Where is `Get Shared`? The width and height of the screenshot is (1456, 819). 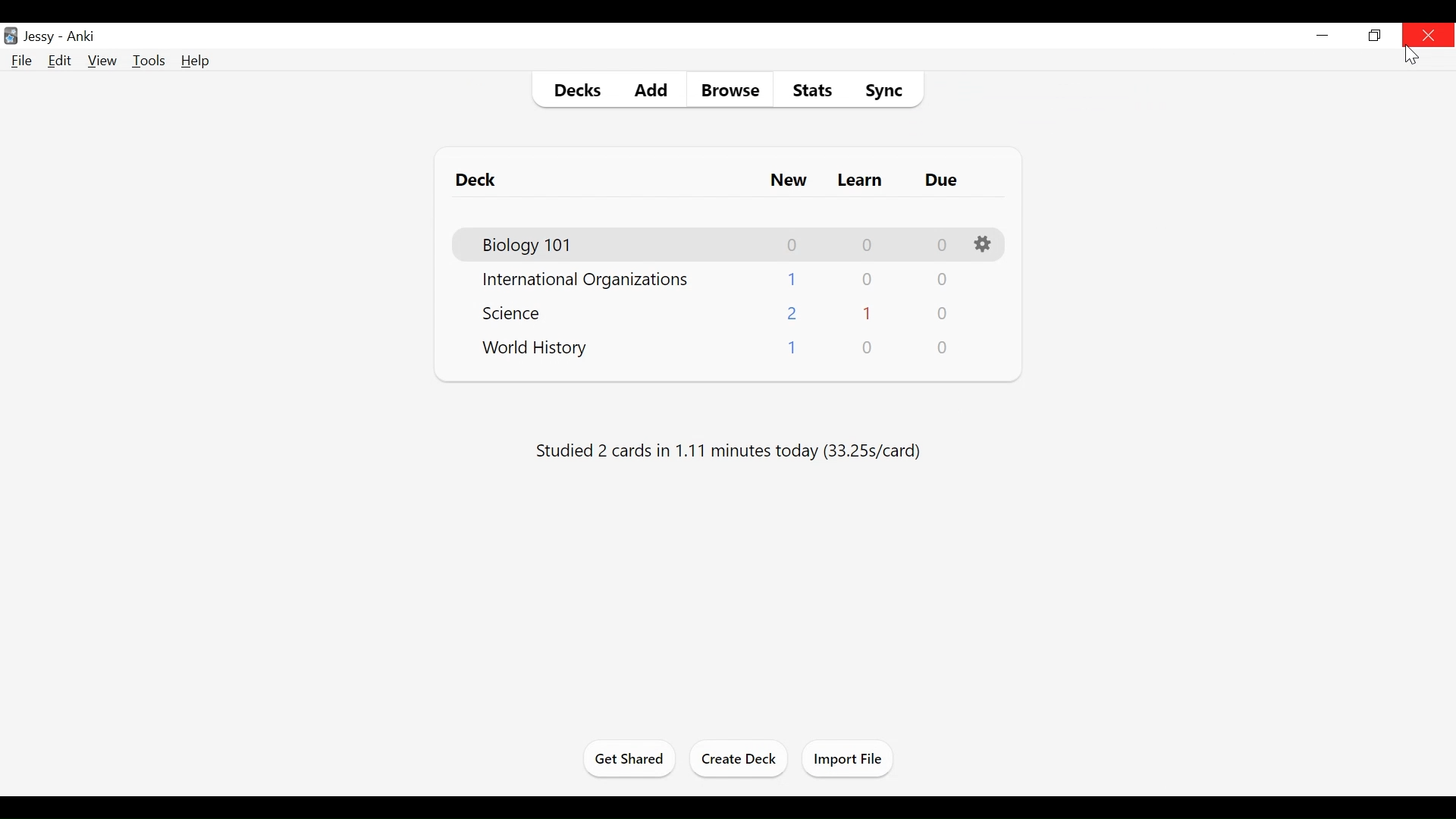
Get Shared is located at coordinates (629, 760).